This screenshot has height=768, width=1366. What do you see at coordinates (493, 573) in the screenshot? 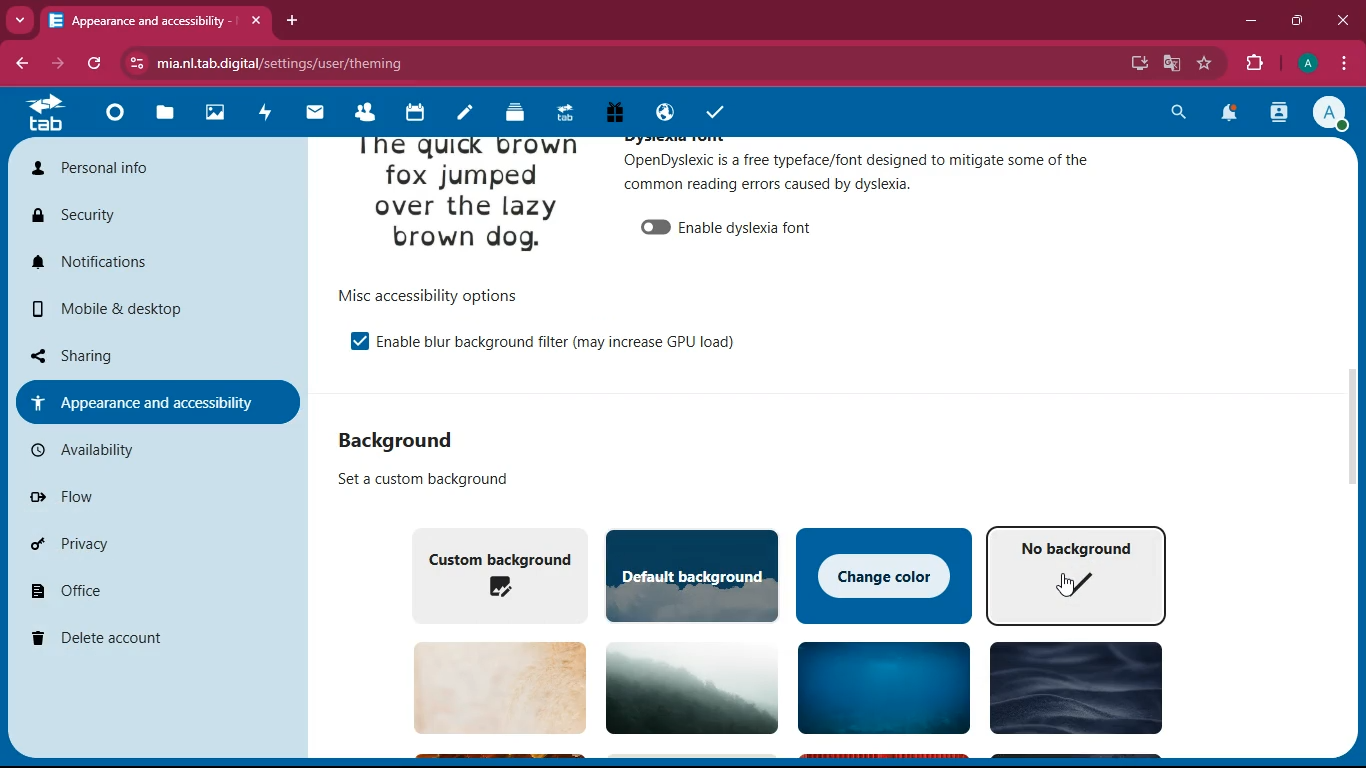
I see `custom background` at bounding box center [493, 573].